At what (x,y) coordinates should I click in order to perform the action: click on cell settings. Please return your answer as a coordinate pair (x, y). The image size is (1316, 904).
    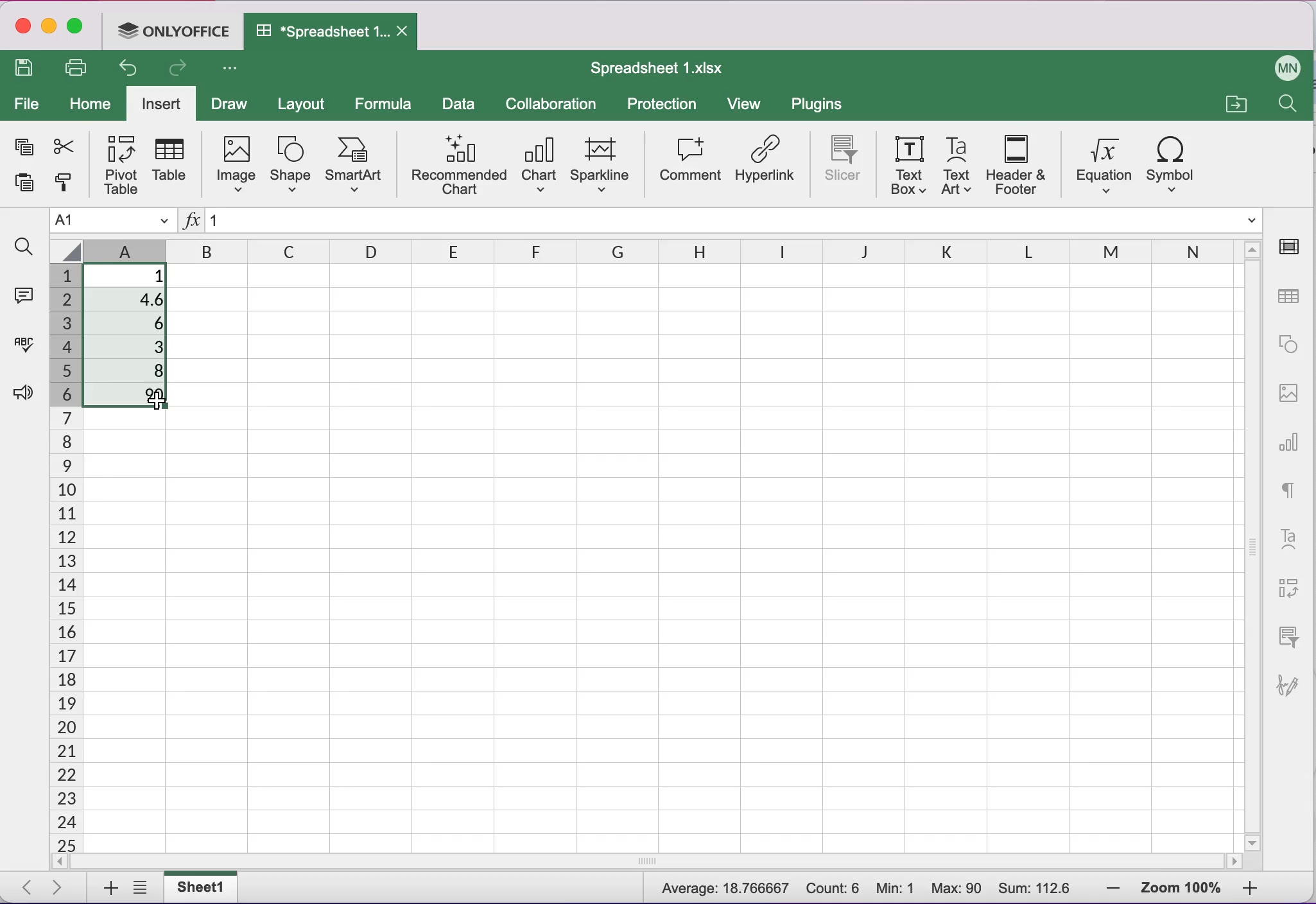
    Looking at the image, I should click on (1292, 248).